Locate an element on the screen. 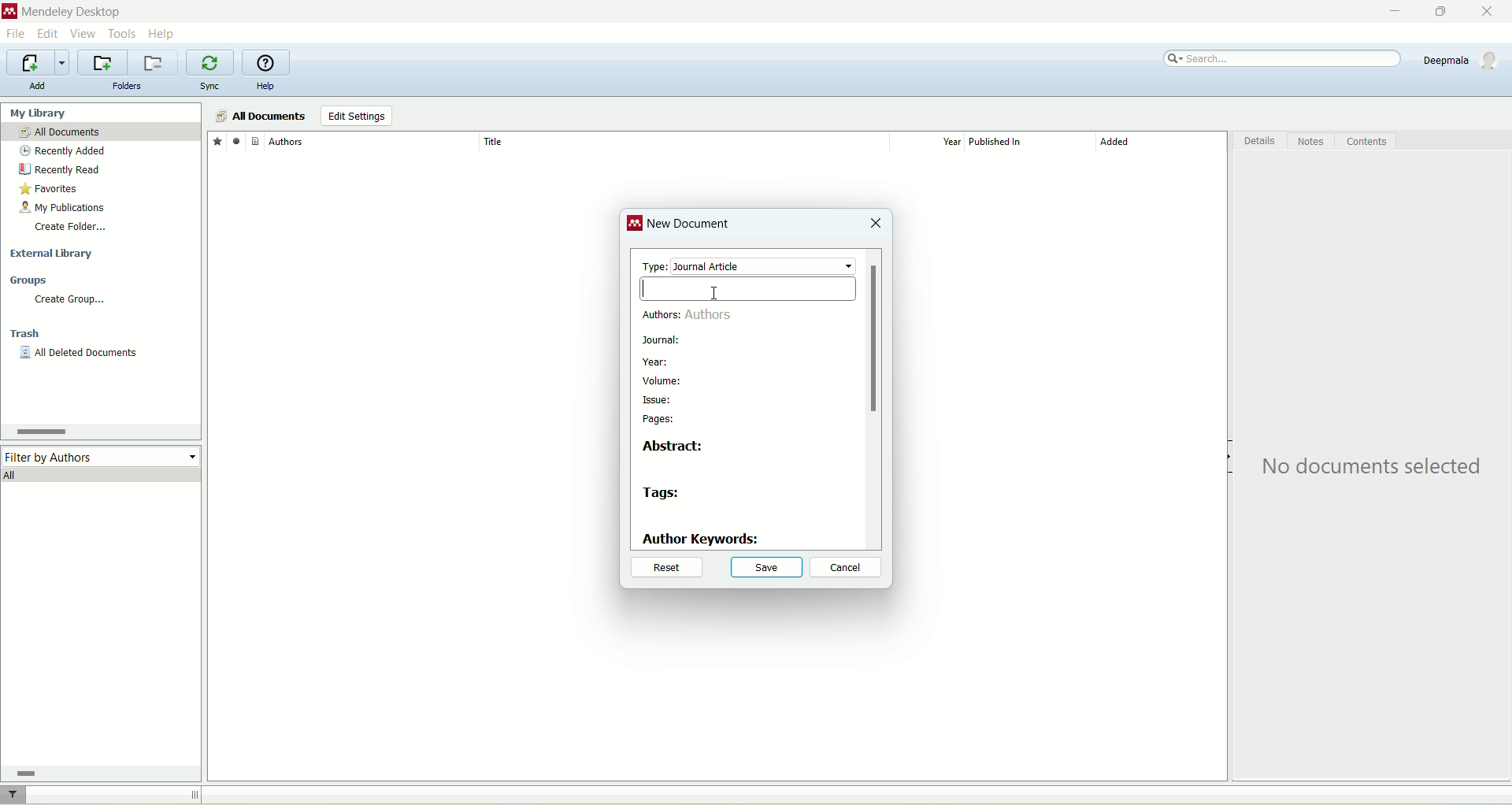 The image size is (1512, 805). text is located at coordinates (1376, 467).